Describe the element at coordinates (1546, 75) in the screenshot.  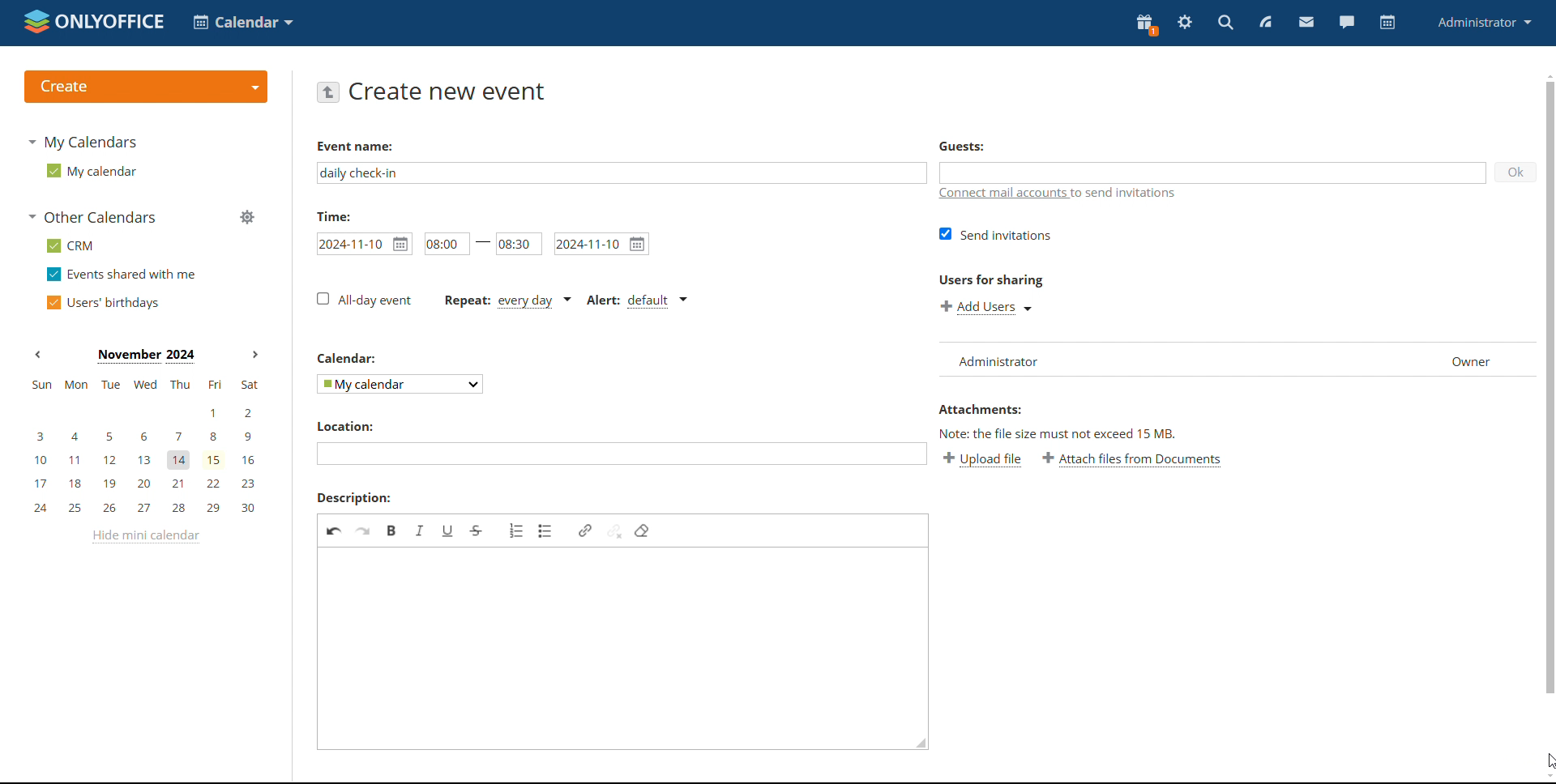
I see `scroll up` at that location.